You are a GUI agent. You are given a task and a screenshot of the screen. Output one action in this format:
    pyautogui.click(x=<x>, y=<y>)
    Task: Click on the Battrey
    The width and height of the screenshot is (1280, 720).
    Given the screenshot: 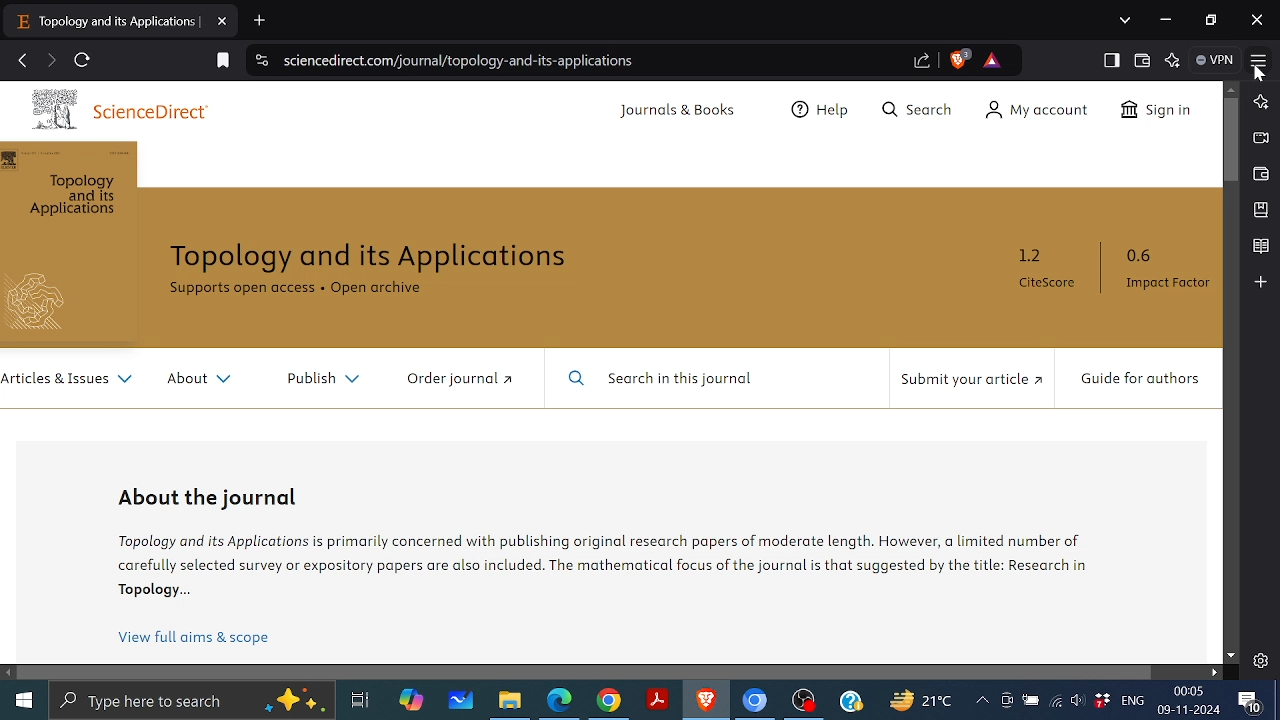 What is the action you would take?
    pyautogui.click(x=1031, y=700)
    